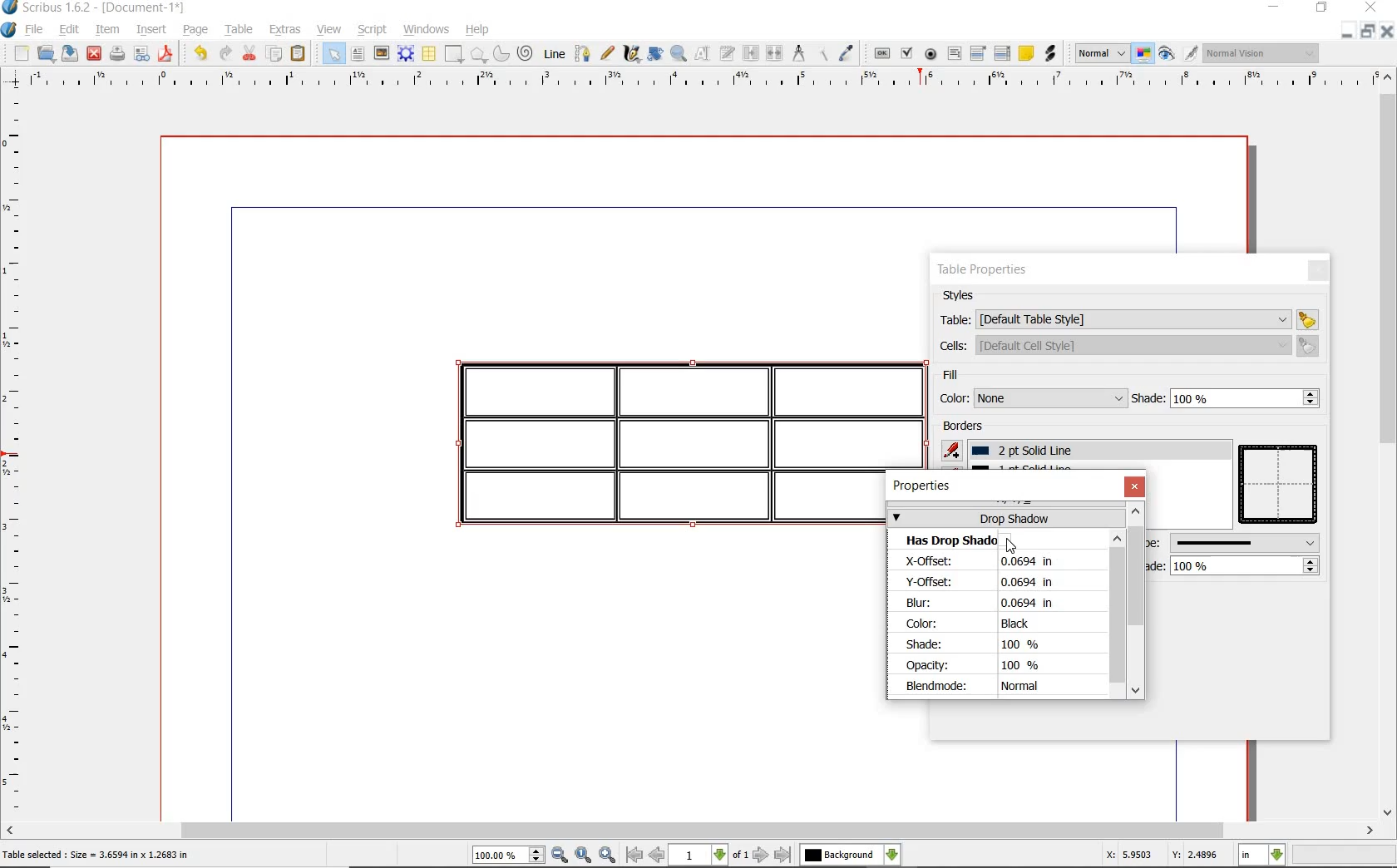 The height and width of the screenshot is (868, 1397). Describe the element at coordinates (20, 53) in the screenshot. I see `new` at that location.